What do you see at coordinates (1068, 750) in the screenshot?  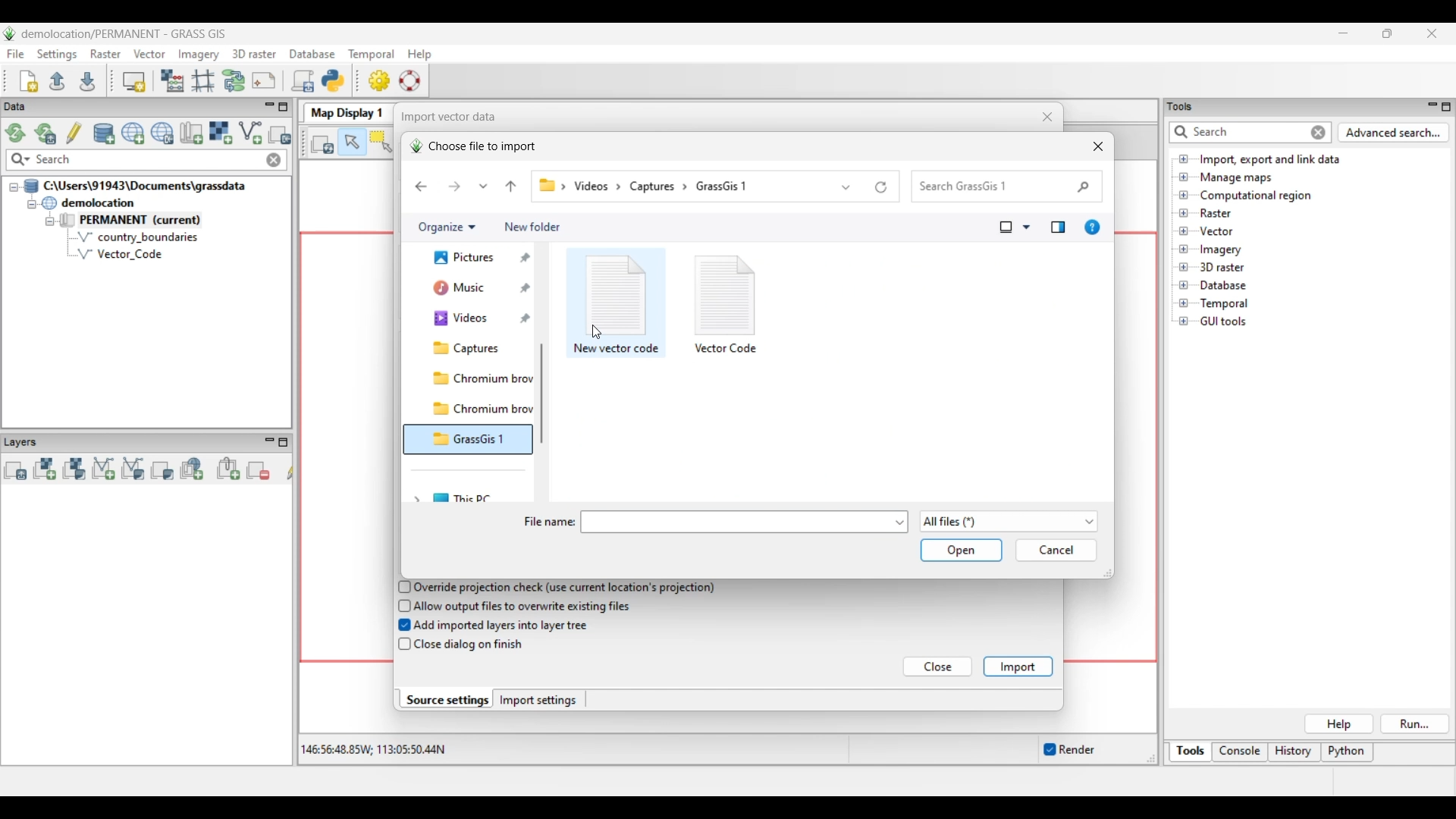 I see `Enable/Disable auto-rendering` at bounding box center [1068, 750].